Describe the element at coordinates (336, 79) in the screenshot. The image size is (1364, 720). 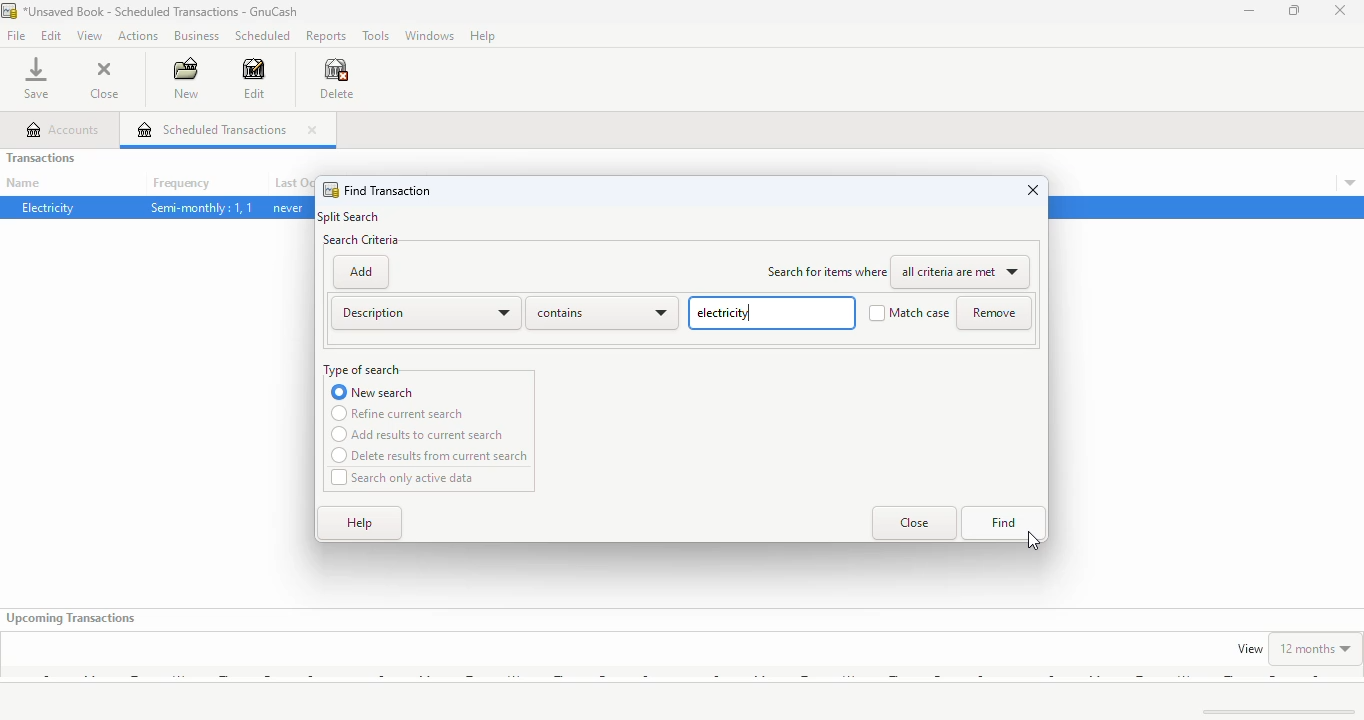
I see `delete` at that location.